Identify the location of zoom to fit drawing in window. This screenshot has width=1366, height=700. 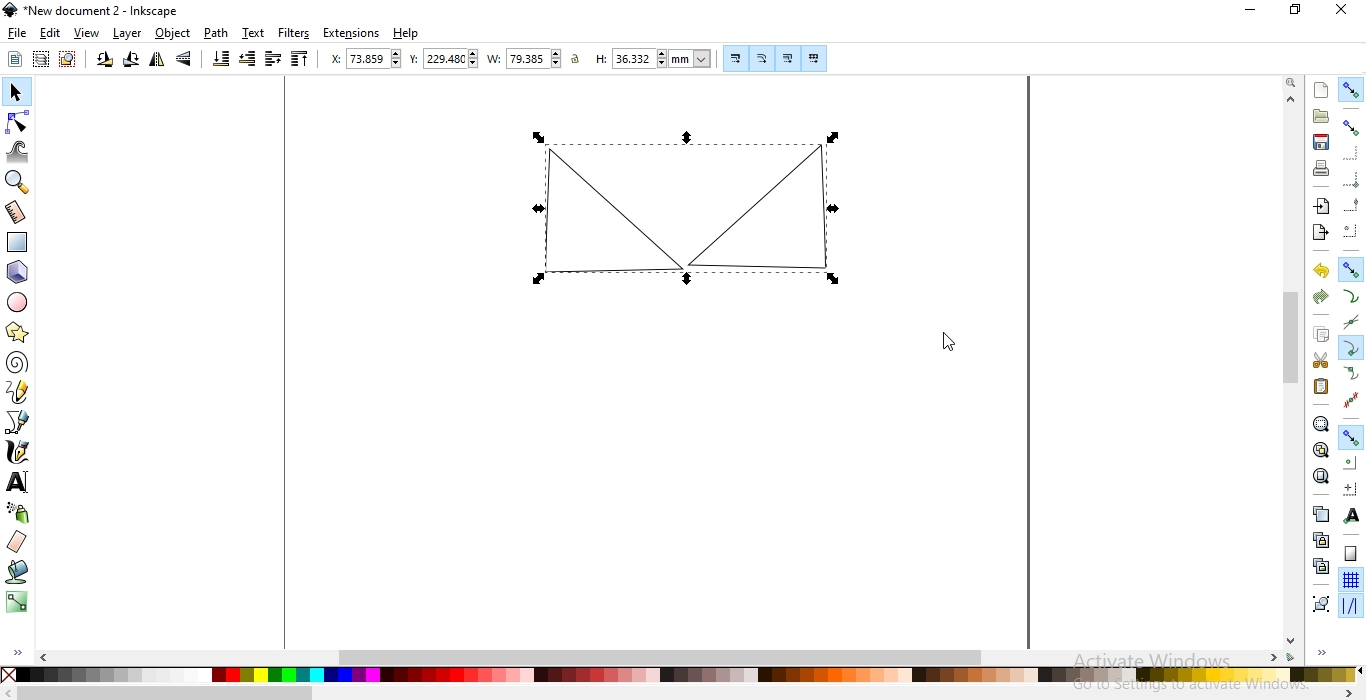
(1320, 448).